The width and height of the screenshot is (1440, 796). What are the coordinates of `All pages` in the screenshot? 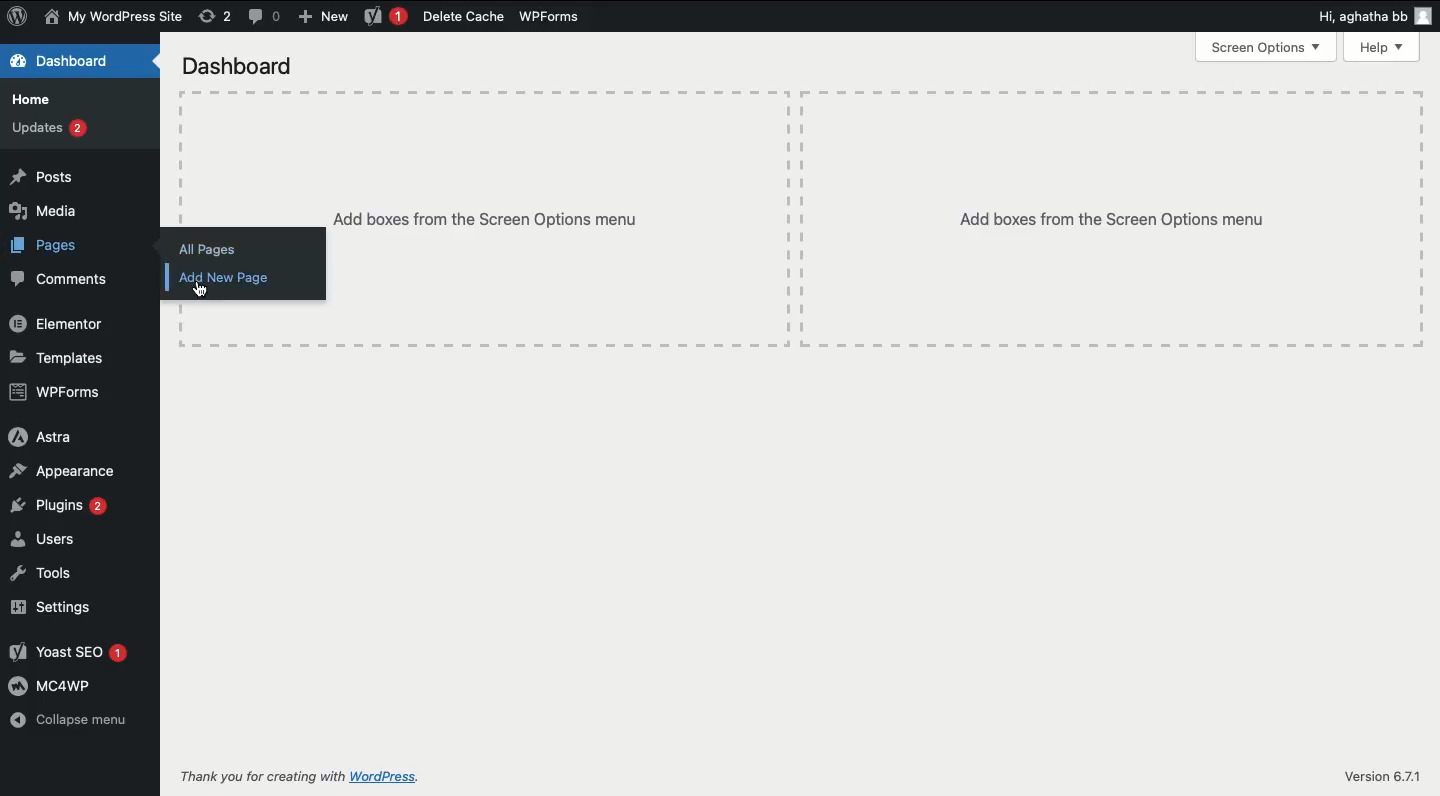 It's located at (211, 247).